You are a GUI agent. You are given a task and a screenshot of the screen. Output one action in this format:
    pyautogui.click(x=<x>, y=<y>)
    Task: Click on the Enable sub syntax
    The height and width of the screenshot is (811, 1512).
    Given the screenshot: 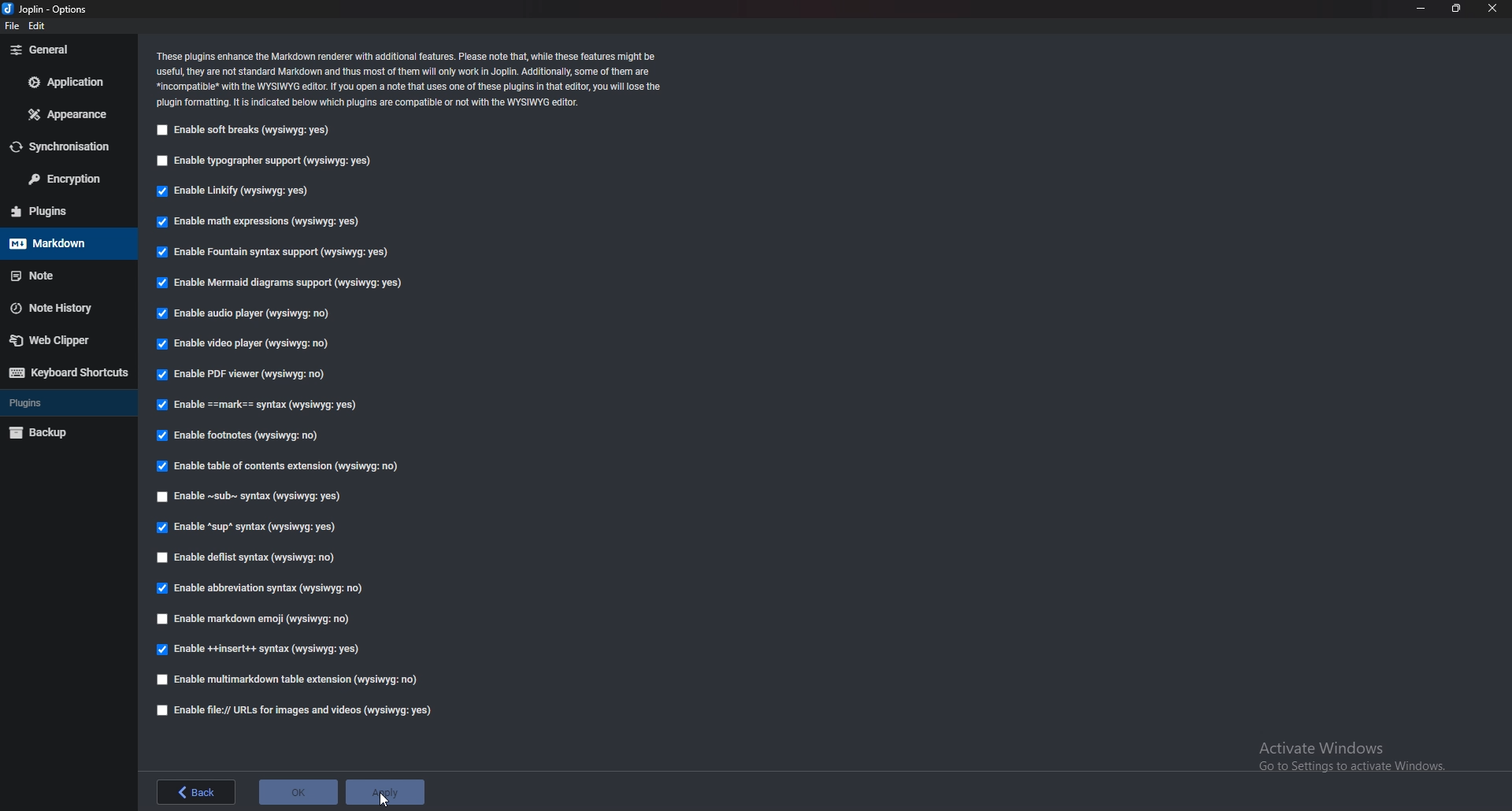 What is the action you would take?
    pyautogui.click(x=252, y=494)
    